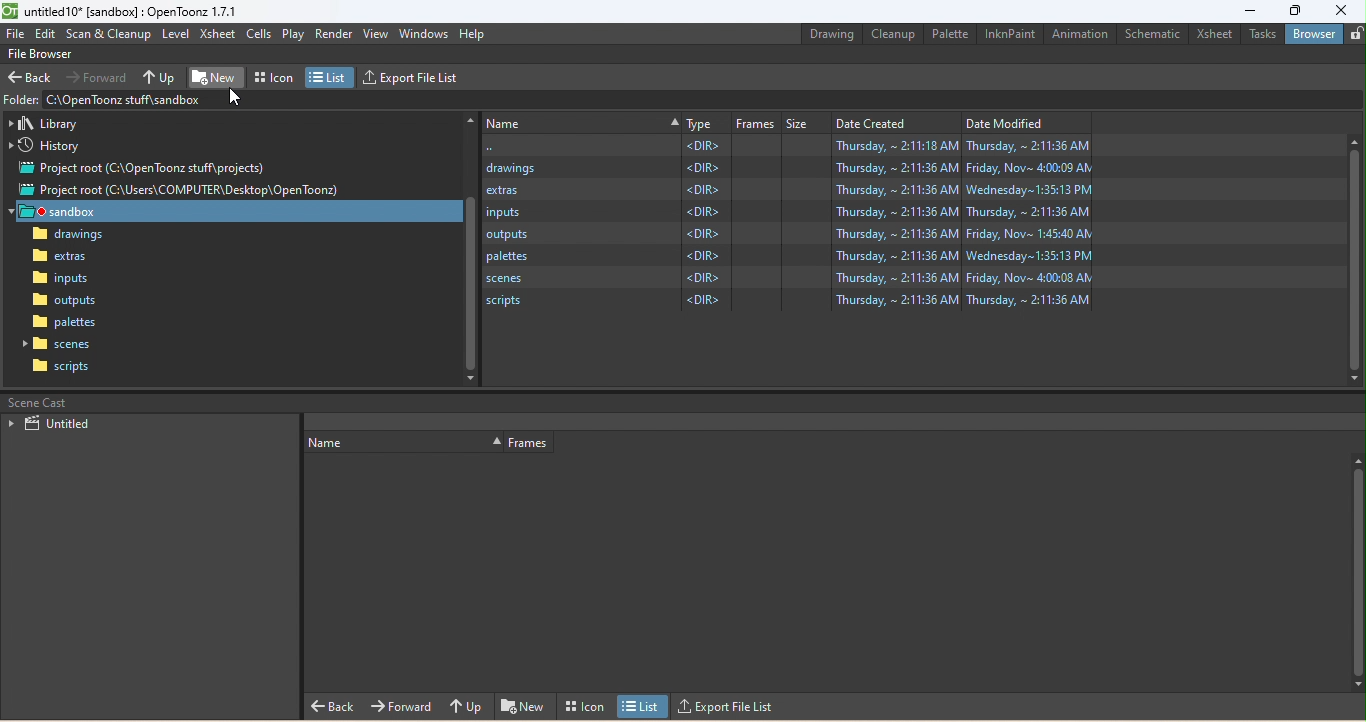 The height and width of the screenshot is (722, 1366). Describe the element at coordinates (146, 168) in the screenshot. I see `Project root` at that location.